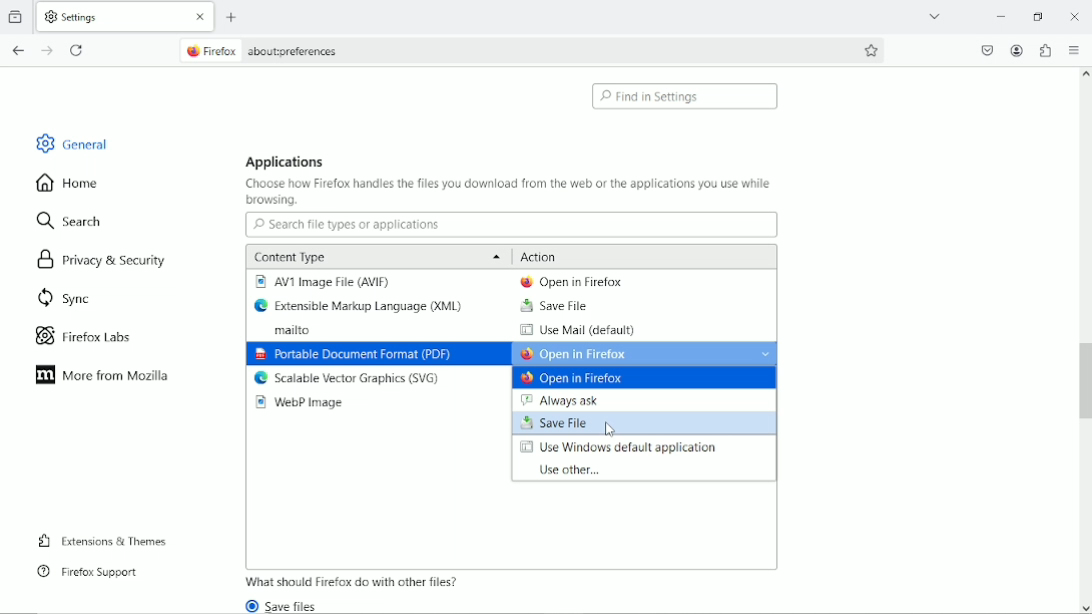 This screenshot has width=1092, height=614. I want to click on General, so click(68, 141).